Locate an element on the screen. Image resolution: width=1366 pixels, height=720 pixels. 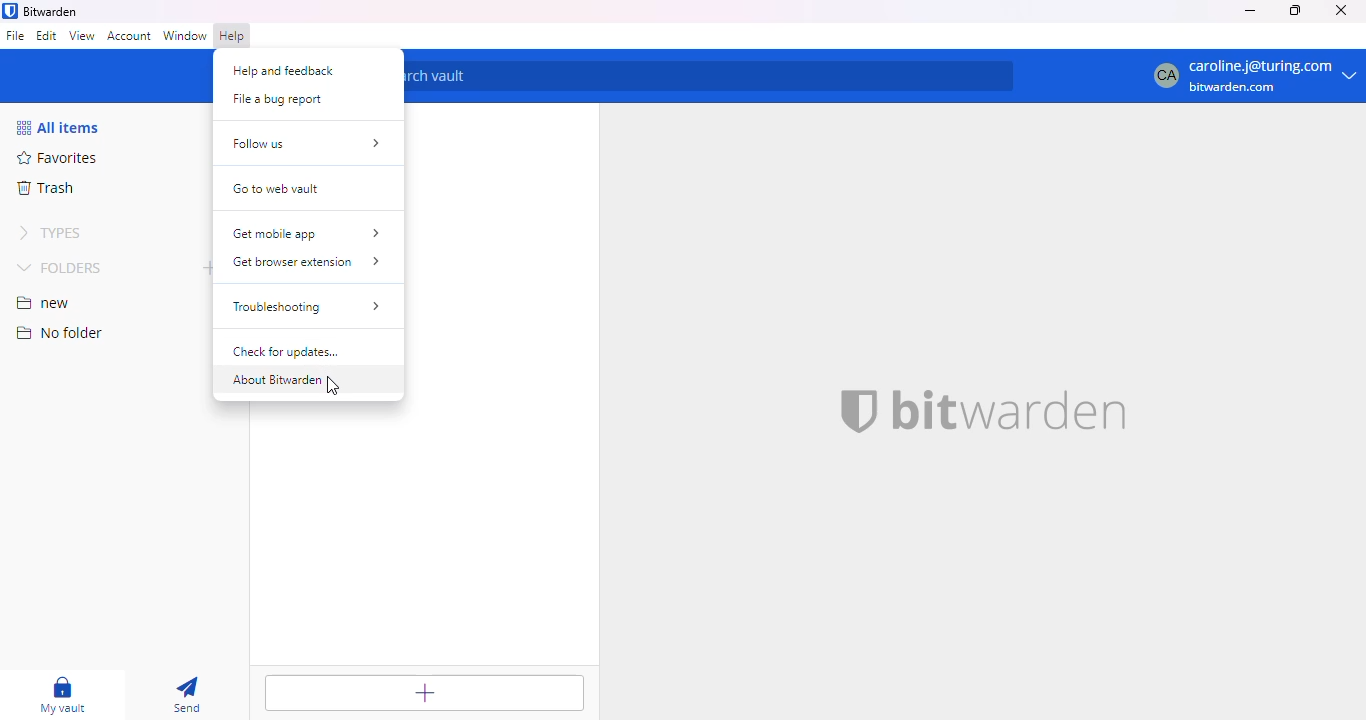
send is located at coordinates (186, 695).